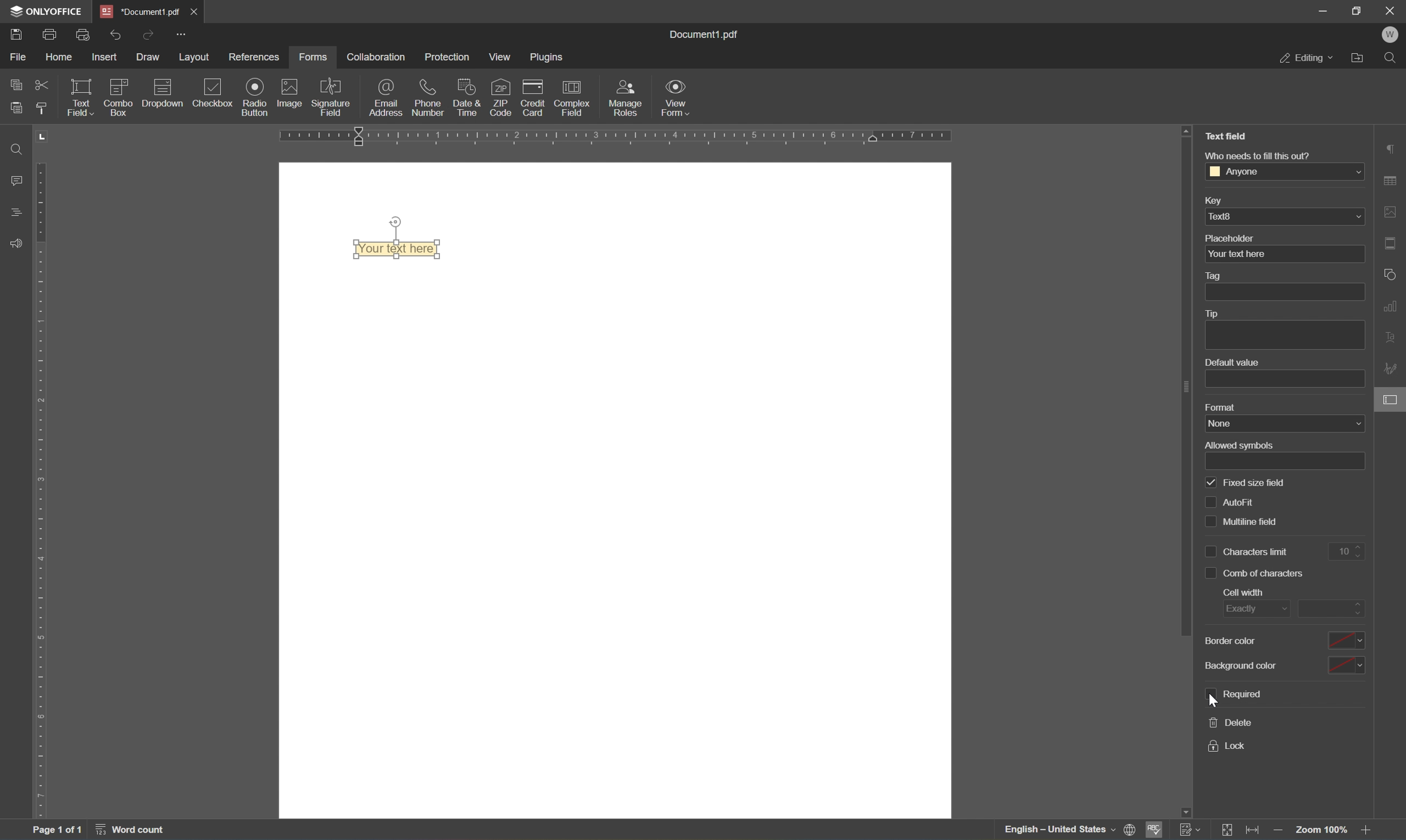  I want to click on format, so click(1223, 407).